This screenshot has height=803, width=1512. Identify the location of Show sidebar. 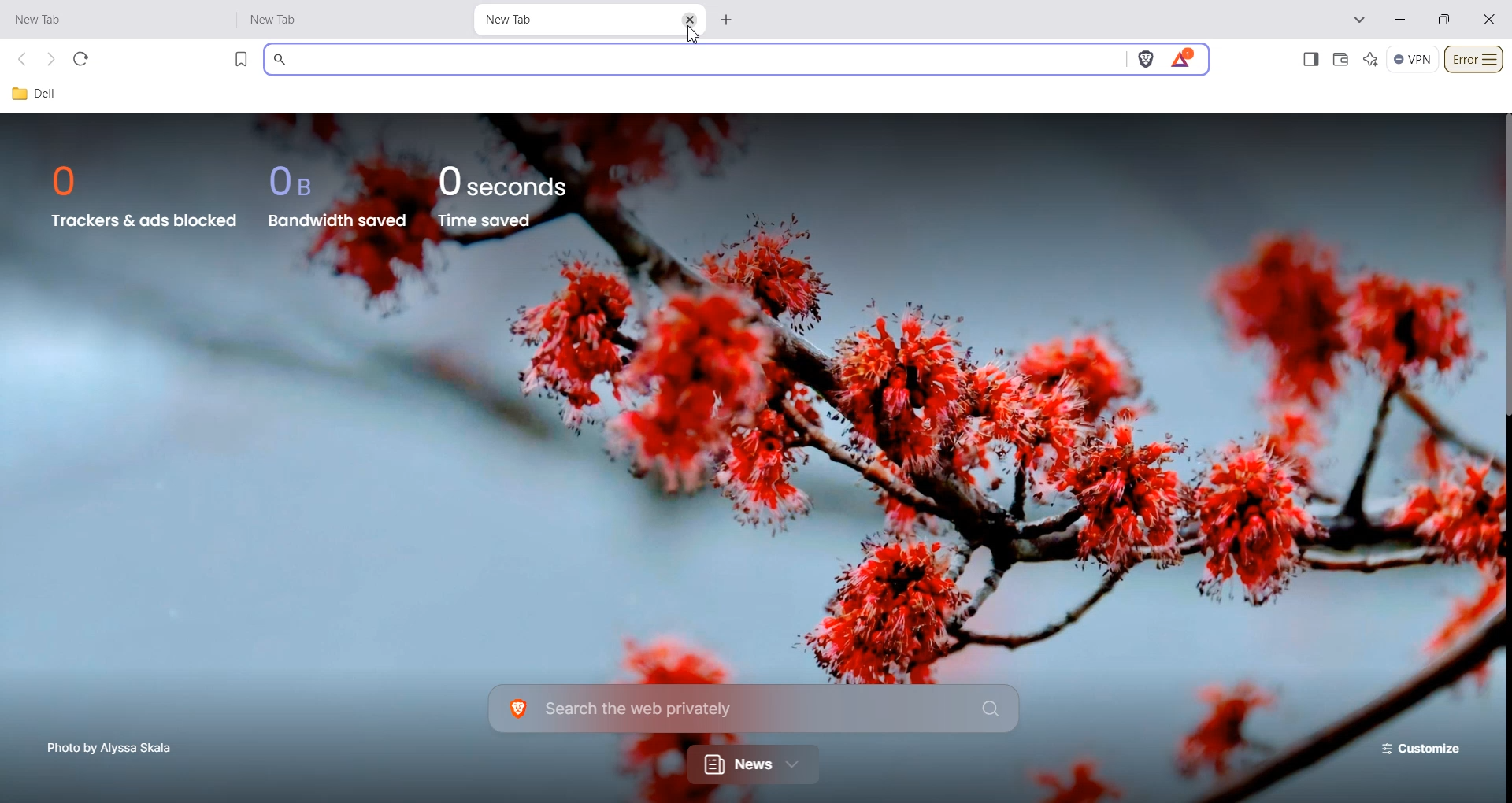
(1310, 59).